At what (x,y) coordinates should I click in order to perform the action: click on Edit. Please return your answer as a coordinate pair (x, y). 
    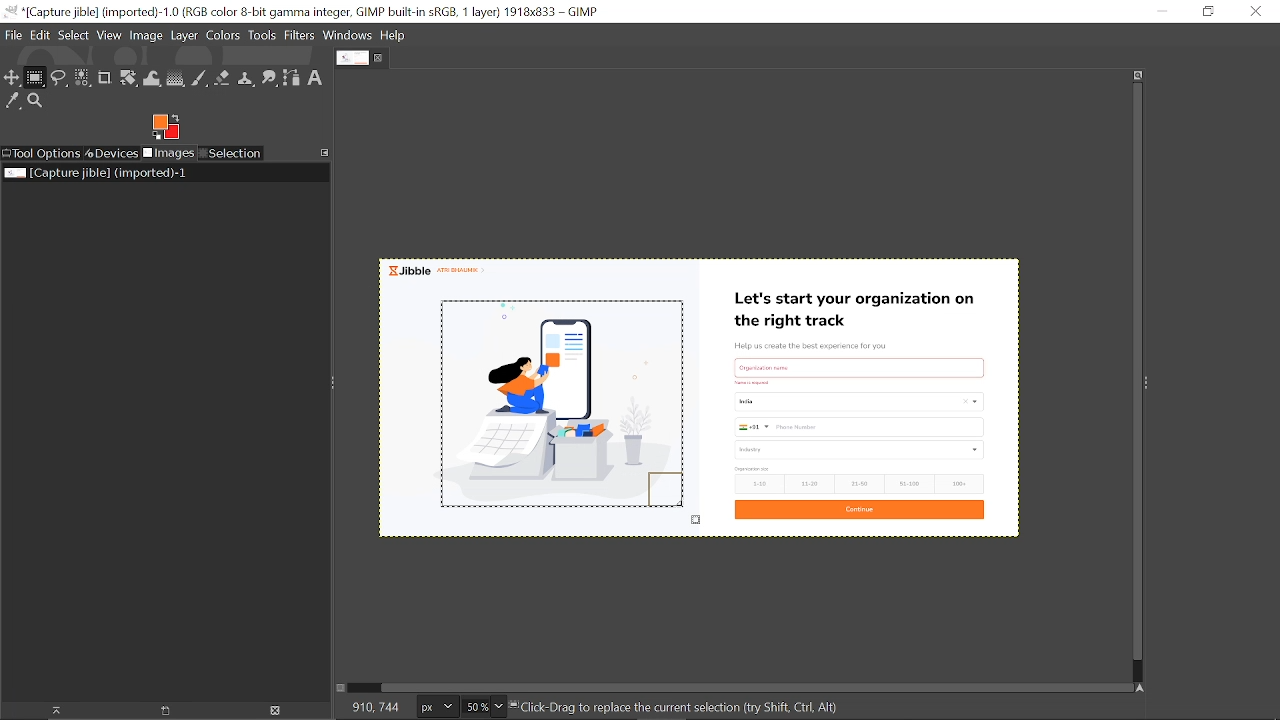
    Looking at the image, I should click on (40, 34).